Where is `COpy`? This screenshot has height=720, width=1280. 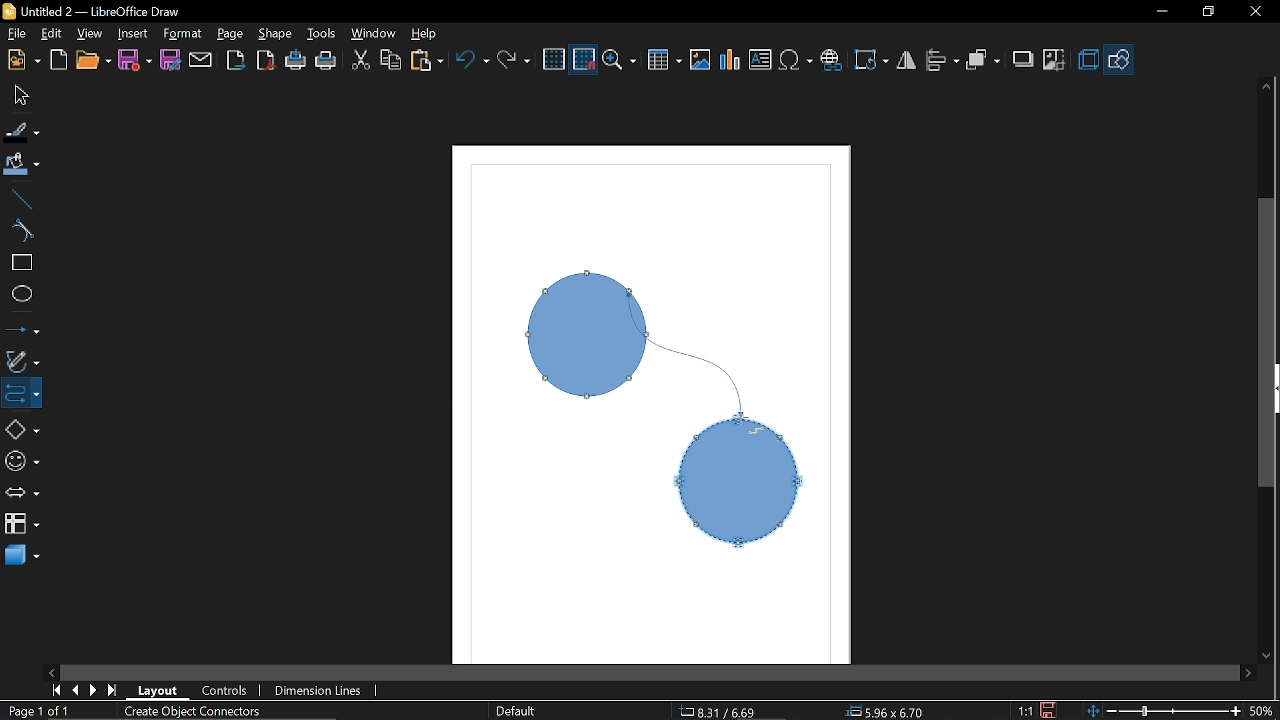
COpy is located at coordinates (390, 61).